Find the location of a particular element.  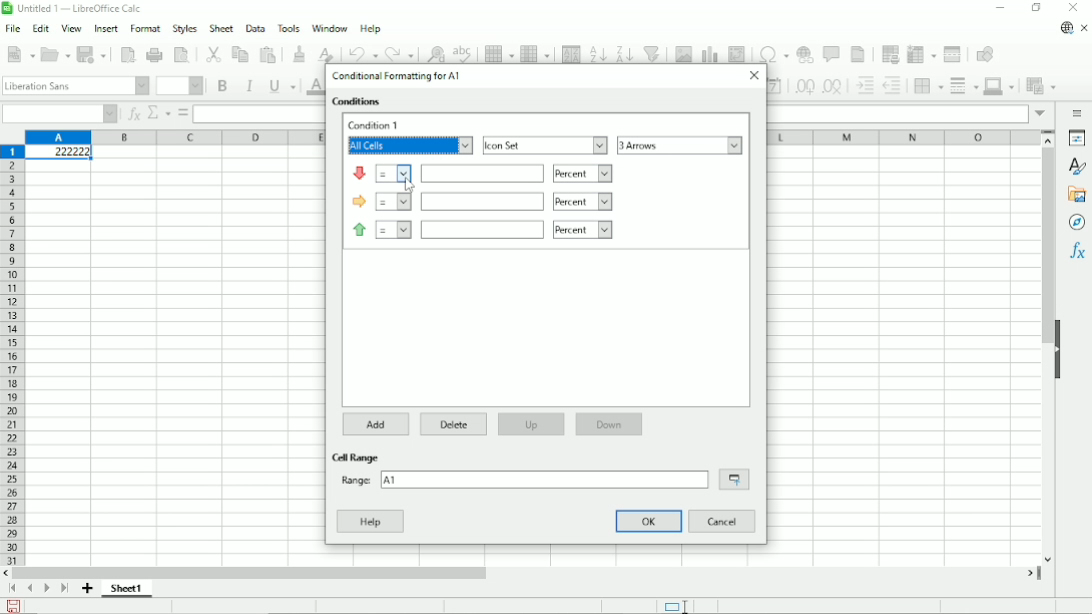

Spell check is located at coordinates (464, 50).